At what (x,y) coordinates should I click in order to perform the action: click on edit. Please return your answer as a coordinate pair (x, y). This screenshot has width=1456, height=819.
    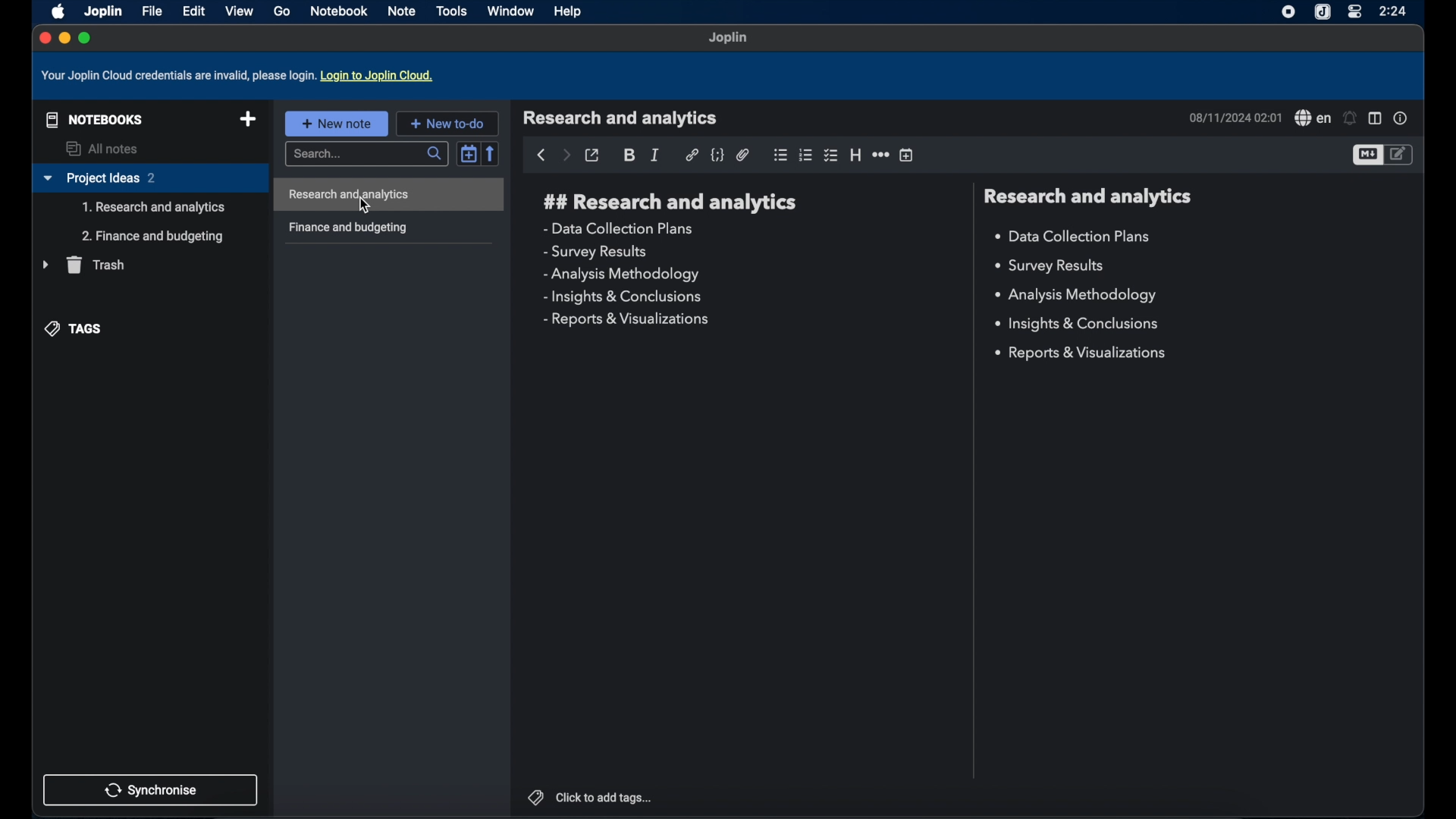
    Looking at the image, I should click on (193, 11).